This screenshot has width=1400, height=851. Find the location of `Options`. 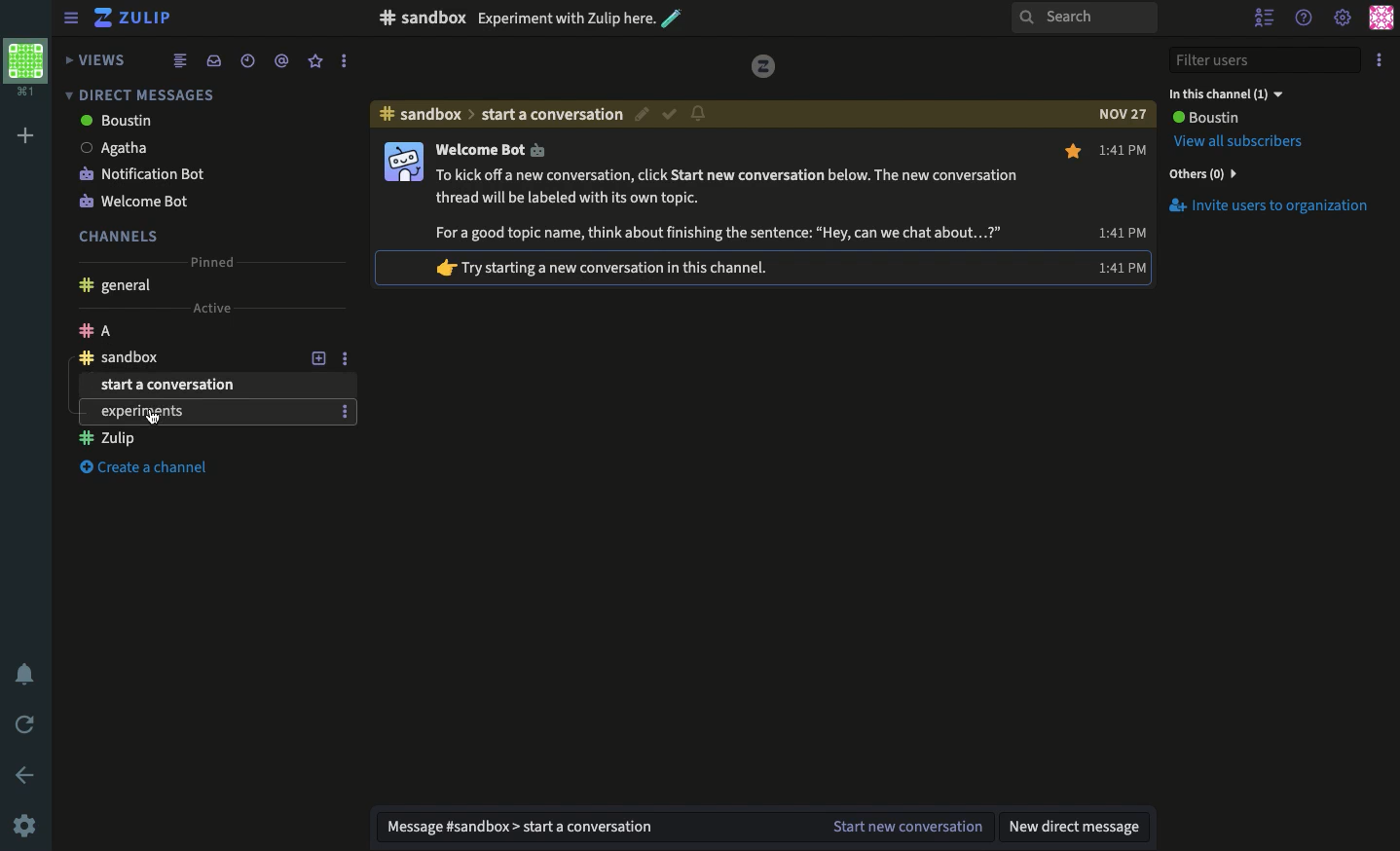

Options is located at coordinates (345, 356).